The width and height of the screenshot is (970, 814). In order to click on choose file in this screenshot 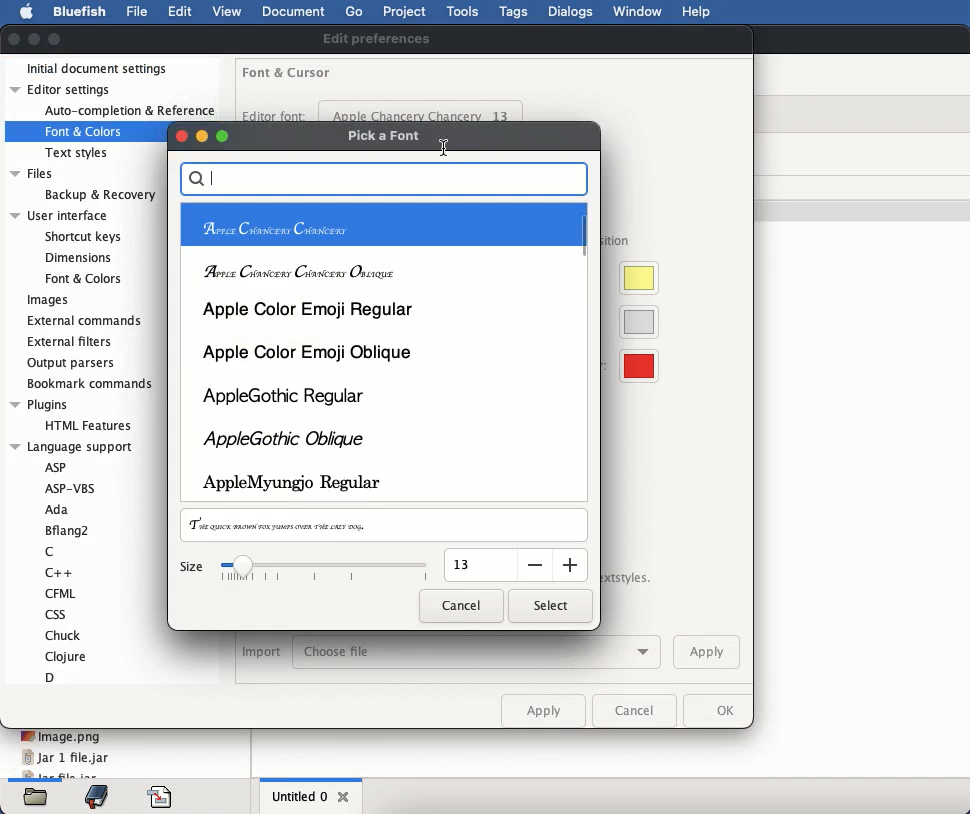, I will do `click(475, 651)`.